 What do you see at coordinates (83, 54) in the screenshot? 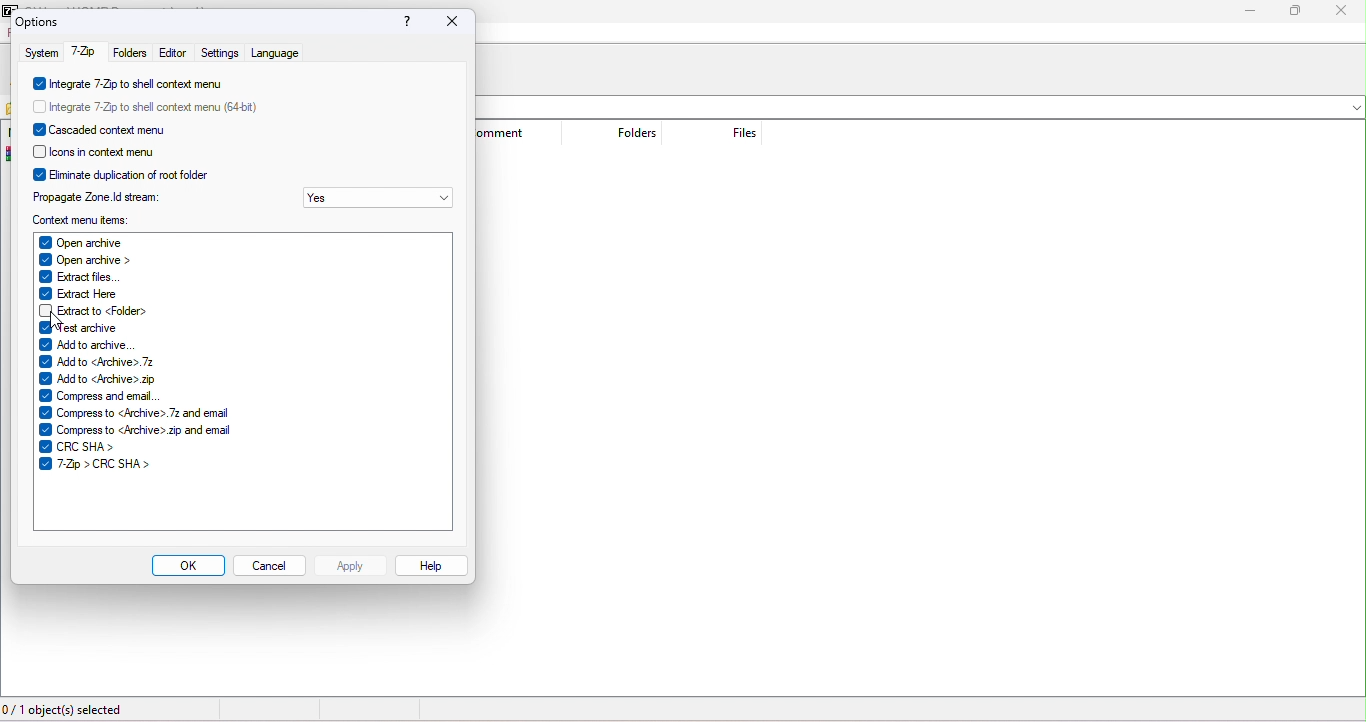
I see `7 zip` at bounding box center [83, 54].